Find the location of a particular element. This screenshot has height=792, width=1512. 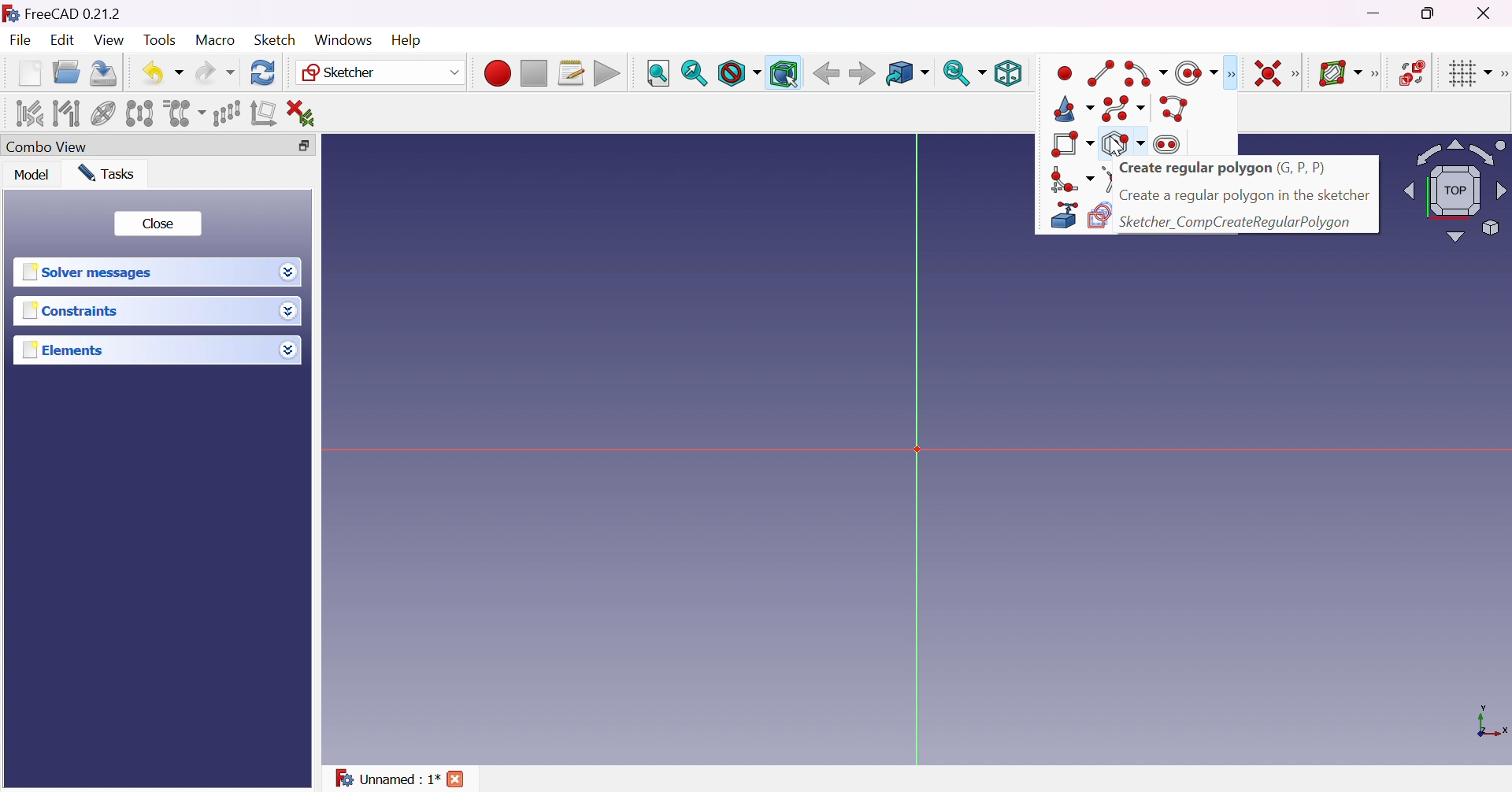

Back is located at coordinates (823, 73).